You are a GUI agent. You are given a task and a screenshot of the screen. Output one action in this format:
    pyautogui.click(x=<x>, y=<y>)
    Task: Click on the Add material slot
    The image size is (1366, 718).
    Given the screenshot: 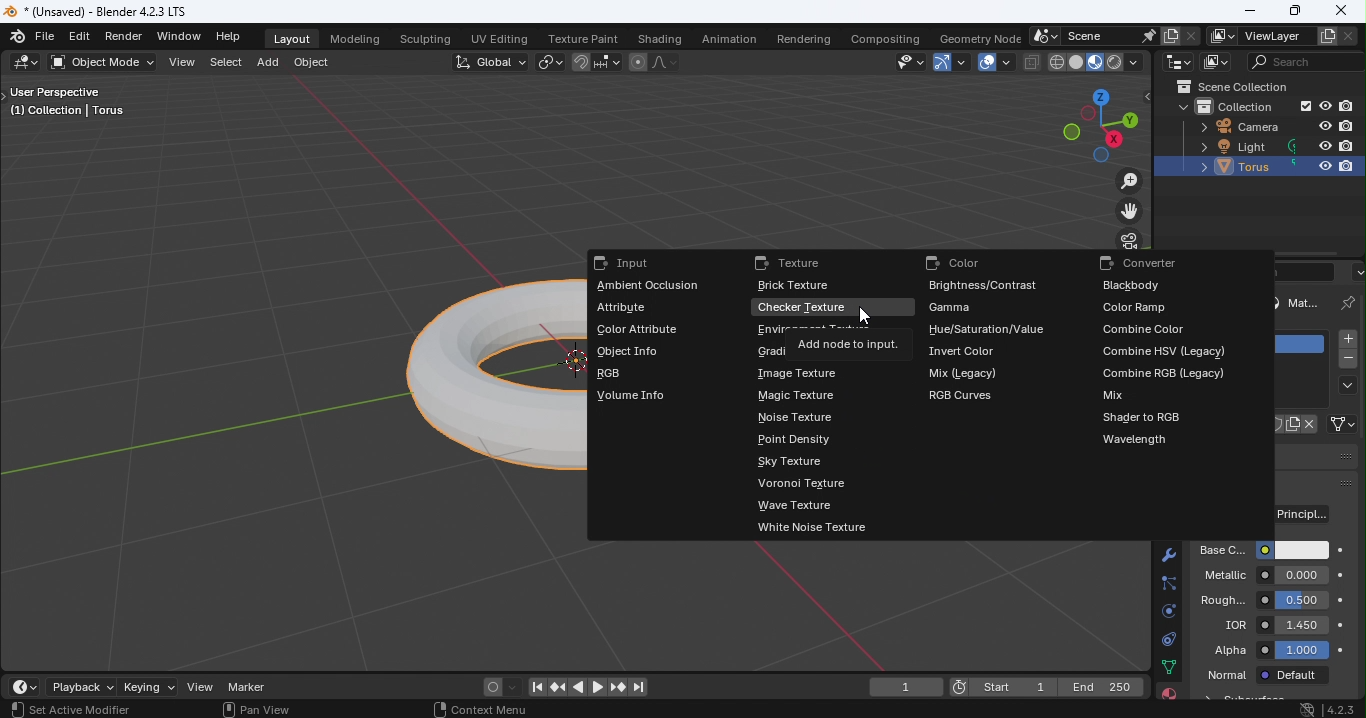 What is the action you would take?
    pyautogui.click(x=1347, y=339)
    